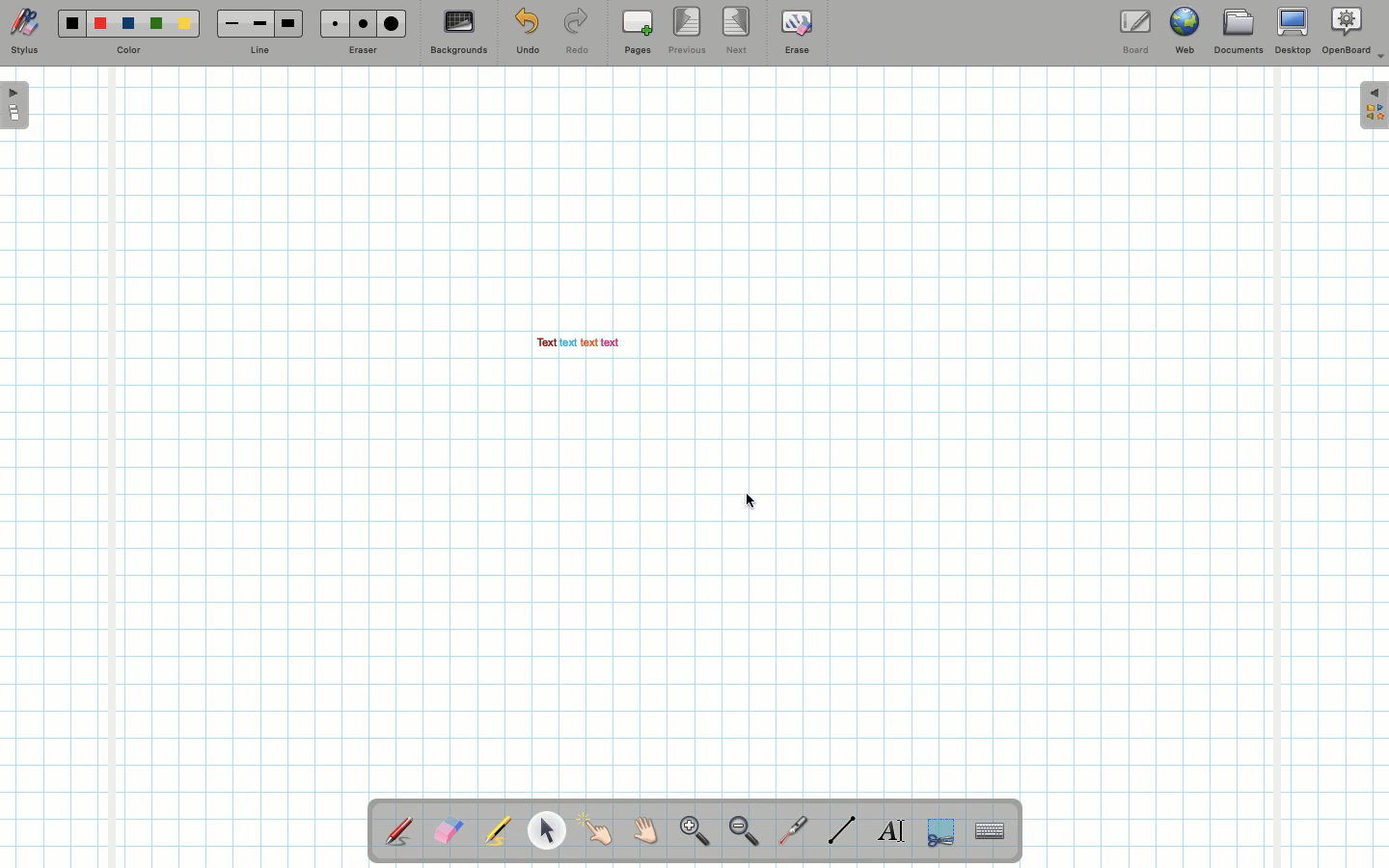  I want to click on Eraser, so click(448, 832).